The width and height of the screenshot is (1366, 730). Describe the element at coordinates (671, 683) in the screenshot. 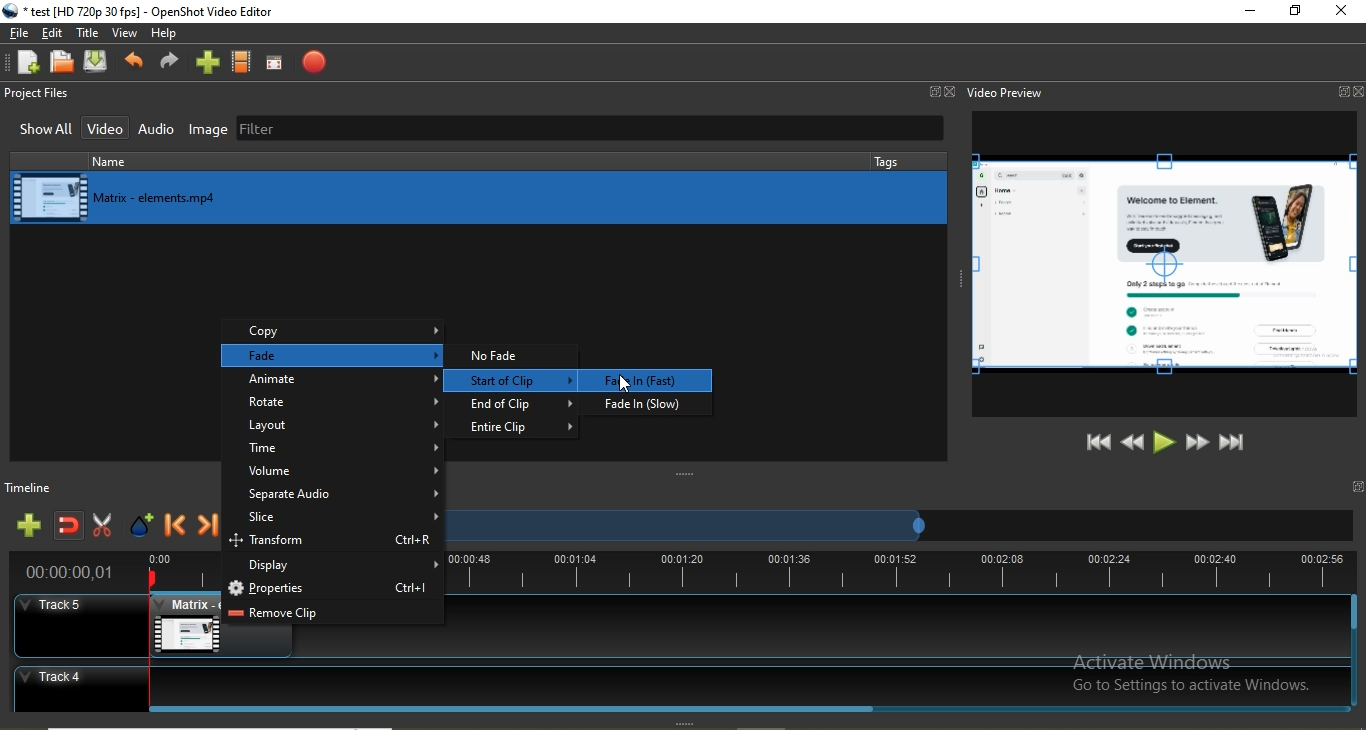

I see `Track  4` at that location.